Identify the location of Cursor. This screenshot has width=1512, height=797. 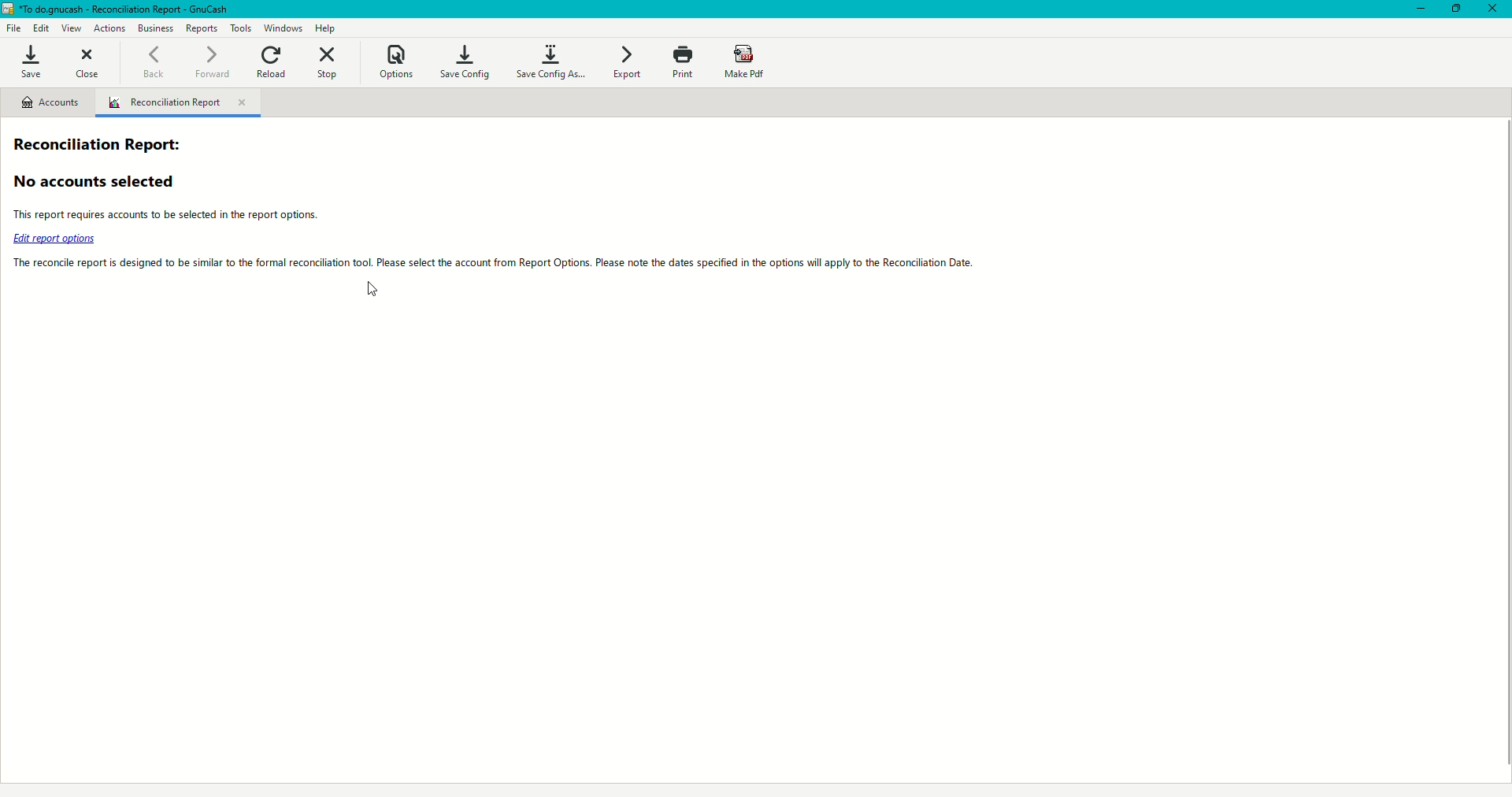
(377, 286).